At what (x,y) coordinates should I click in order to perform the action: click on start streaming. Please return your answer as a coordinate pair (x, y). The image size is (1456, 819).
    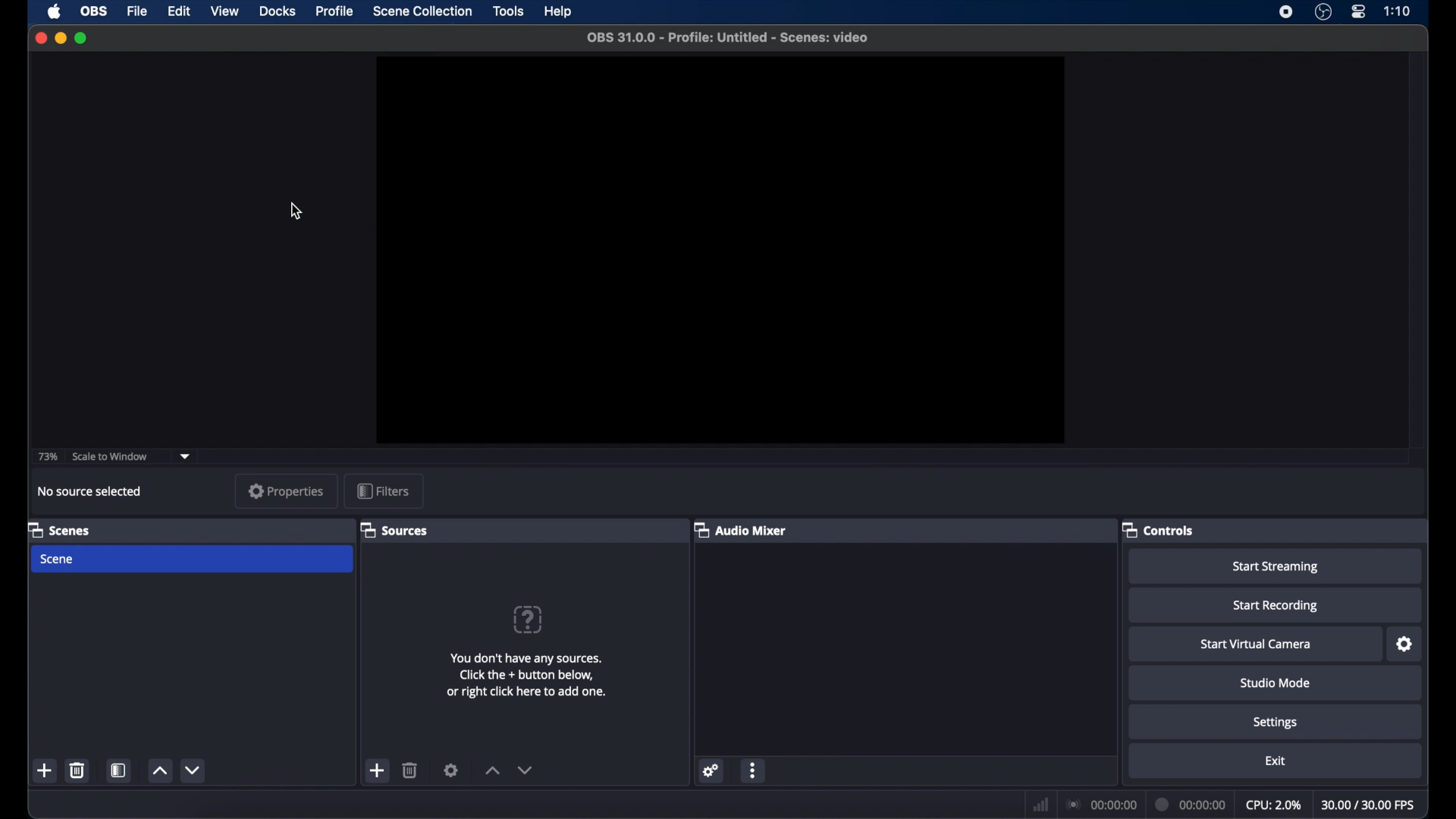
    Looking at the image, I should click on (1280, 567).